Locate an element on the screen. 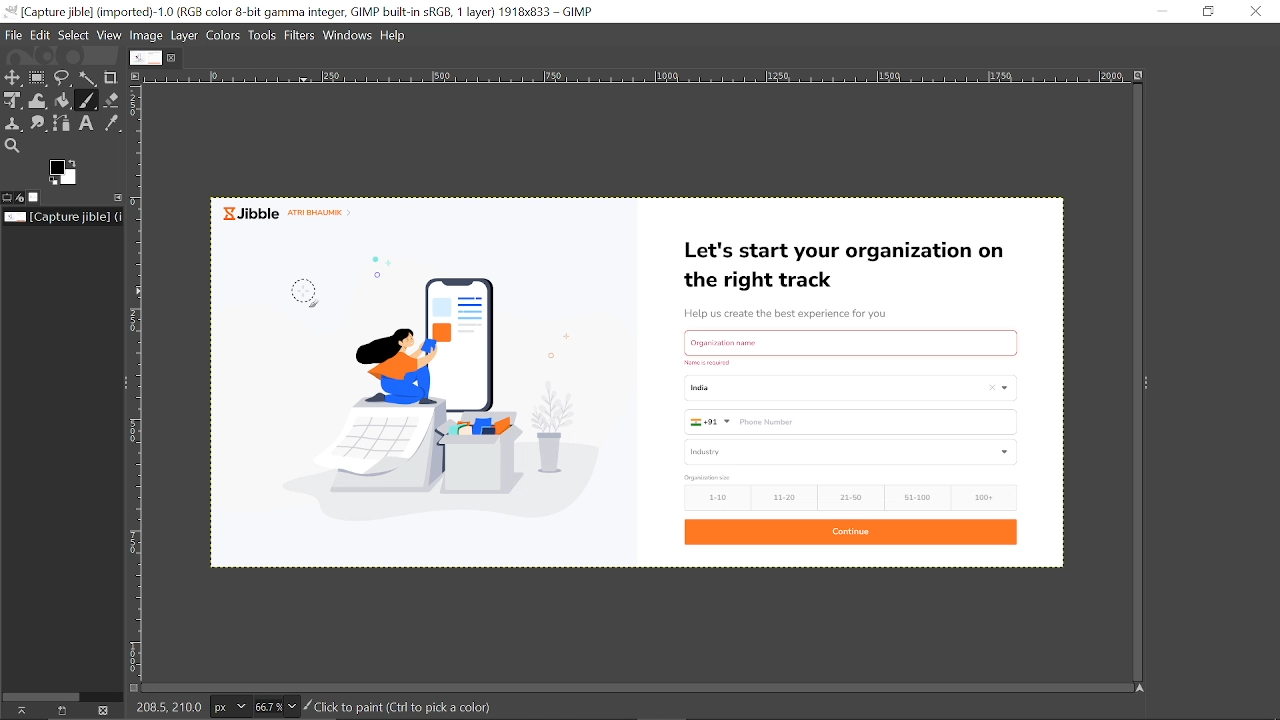  Currently opened omage is located at coordinates (638, 381).